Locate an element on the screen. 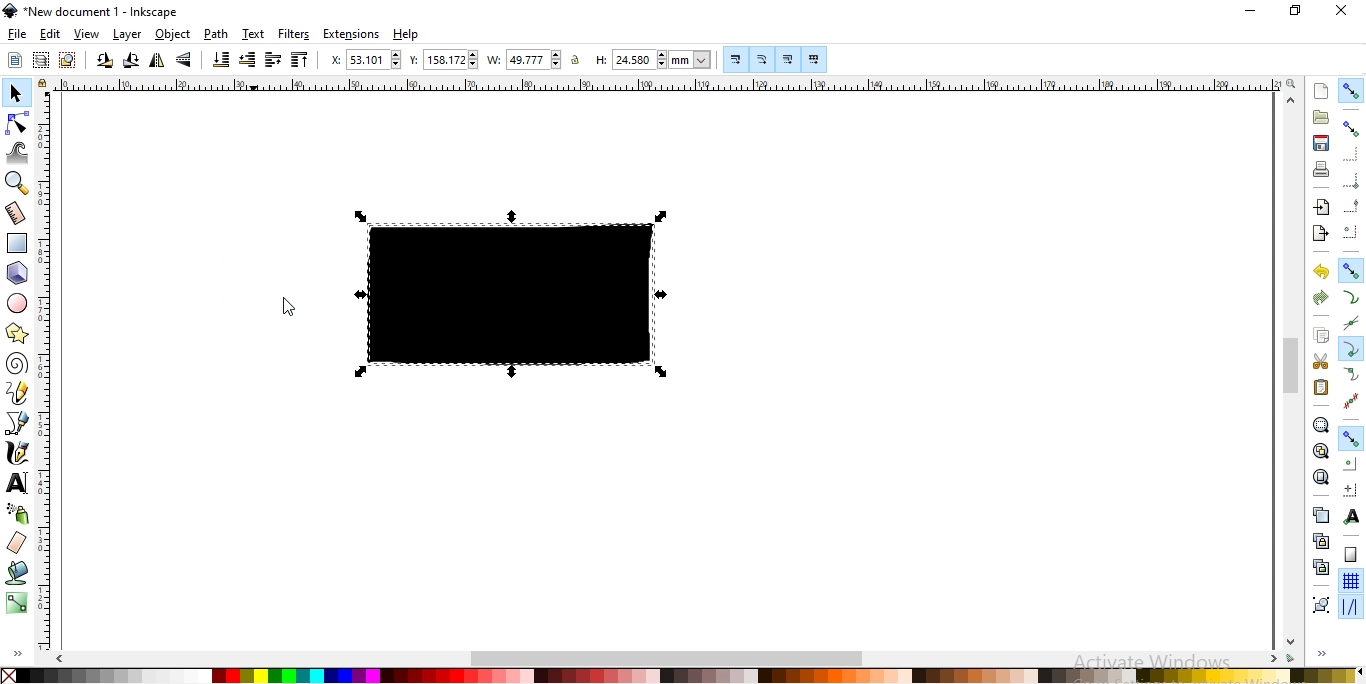 This screenshot has height=684, width=1366. rotate selction 90 counter clockwise is located at coordinates (104, 61).